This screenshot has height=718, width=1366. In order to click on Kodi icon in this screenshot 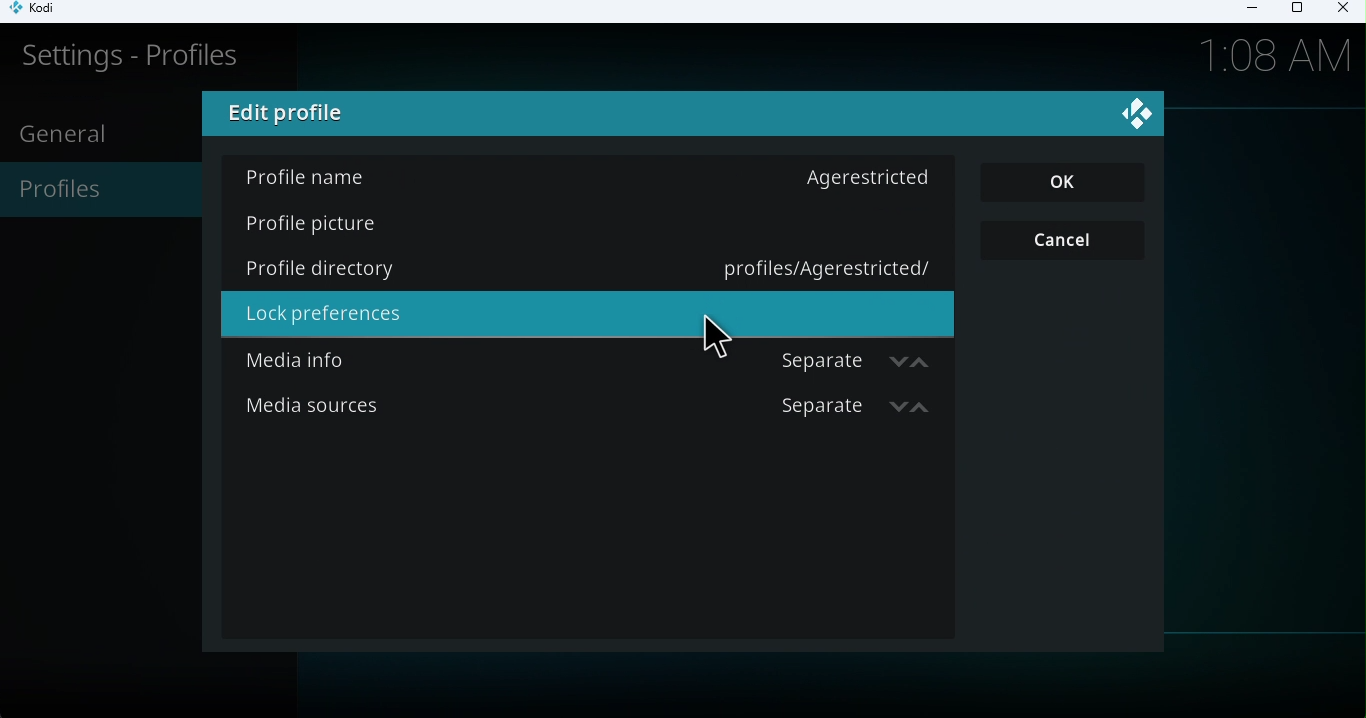, I will do `click(42, 12)`.